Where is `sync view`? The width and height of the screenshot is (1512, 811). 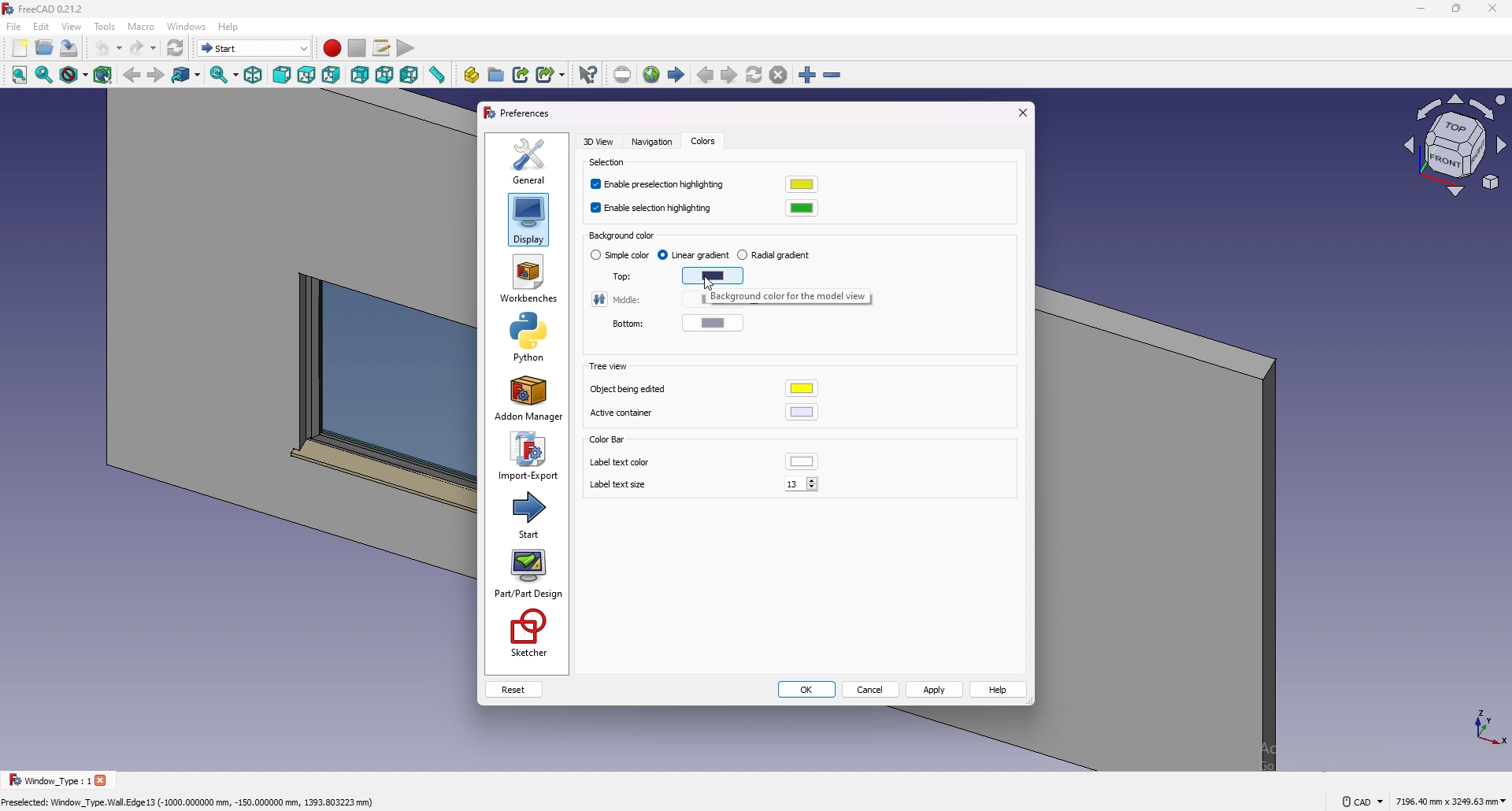 sync view is located at coordinates (224, 75).